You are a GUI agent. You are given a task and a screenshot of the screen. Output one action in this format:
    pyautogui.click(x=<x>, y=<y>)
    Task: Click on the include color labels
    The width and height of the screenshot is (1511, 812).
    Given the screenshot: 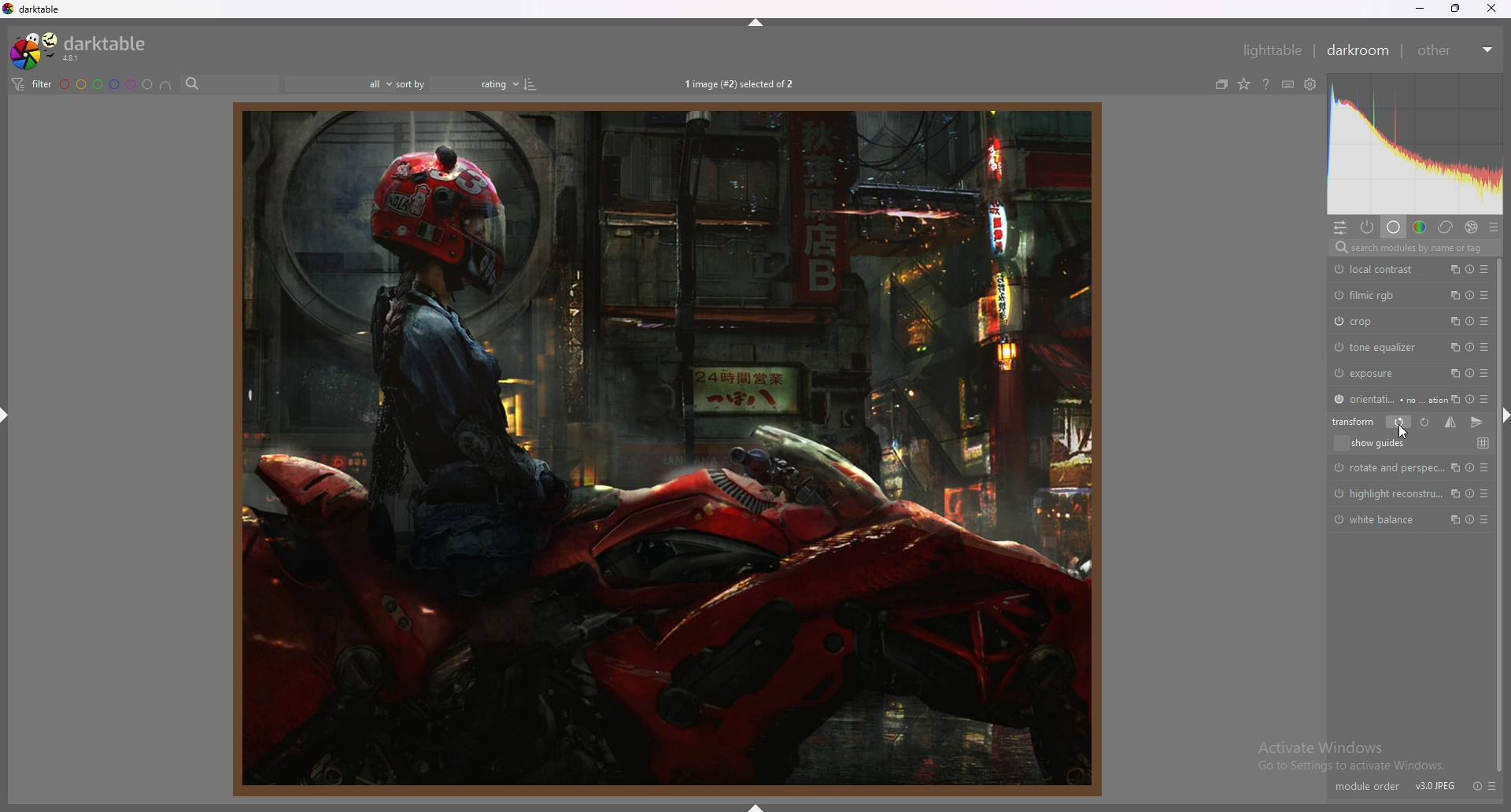 What is the action you would take?
    pyautogui.click(x=165, y=84)
    